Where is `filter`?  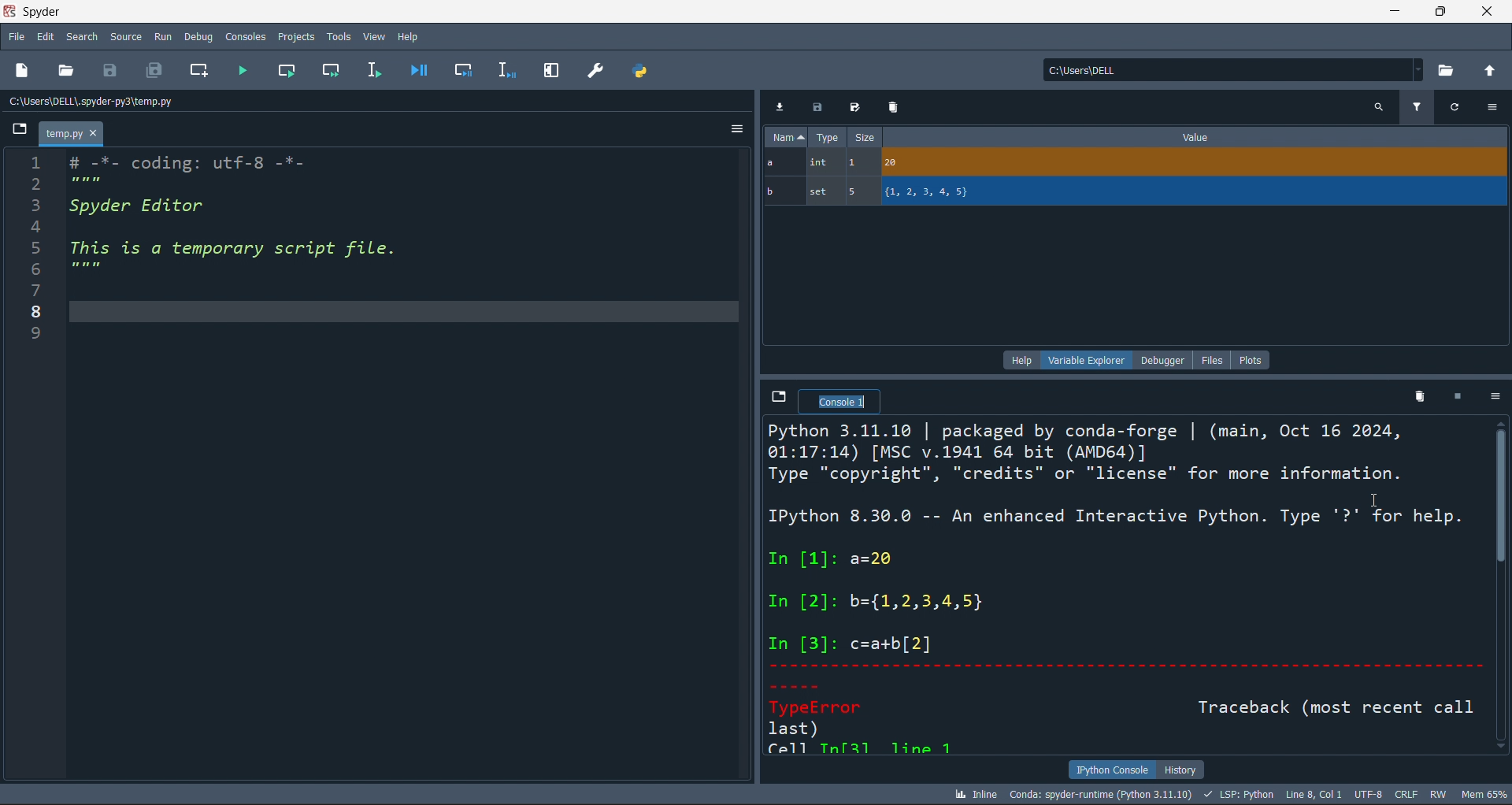 filter is located at coordinates (1416, 106).